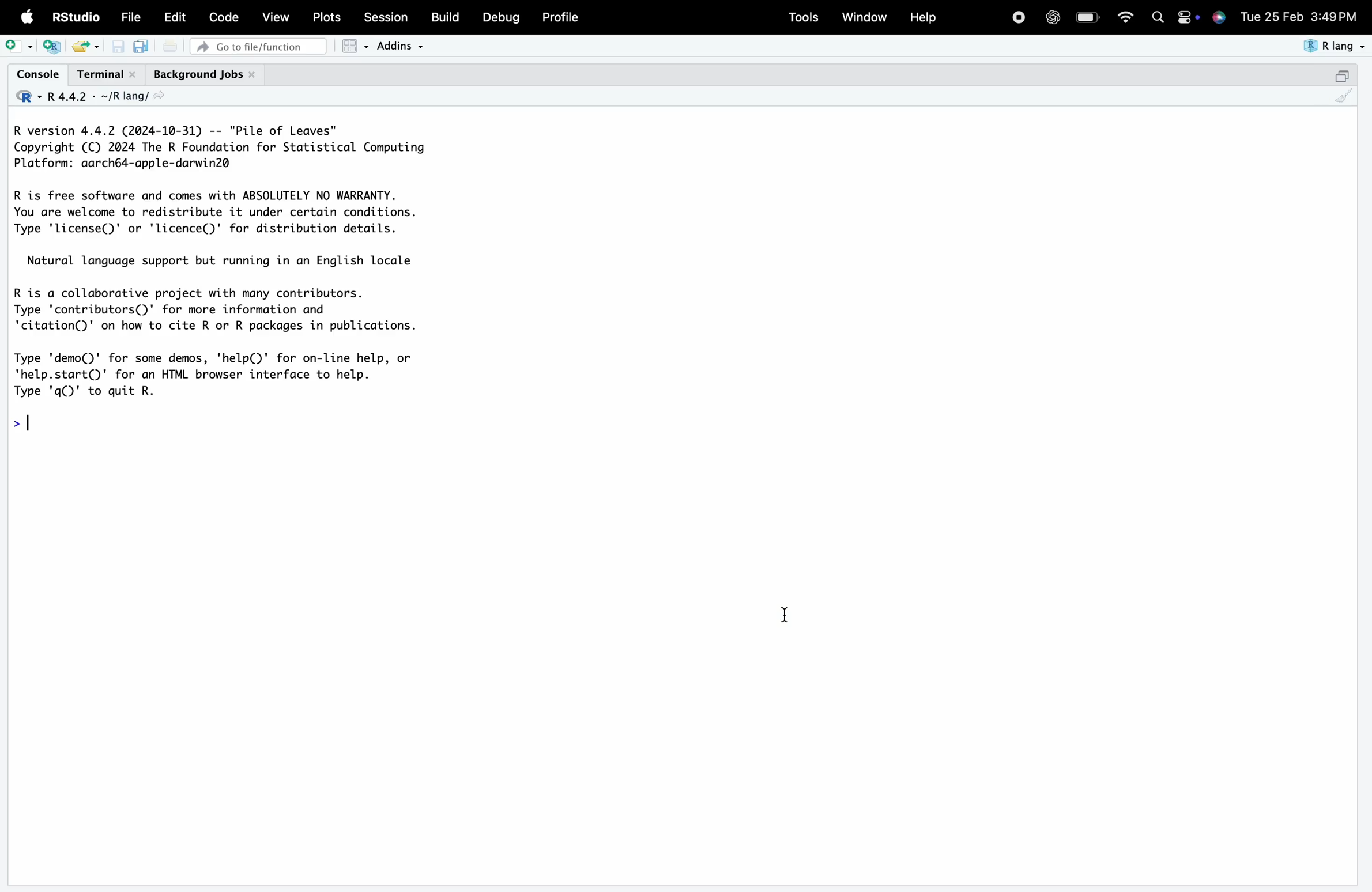  What do you see at coordinates (502, 17) in the screenshot?
I see `Debug` at bounding box center [502, 17].